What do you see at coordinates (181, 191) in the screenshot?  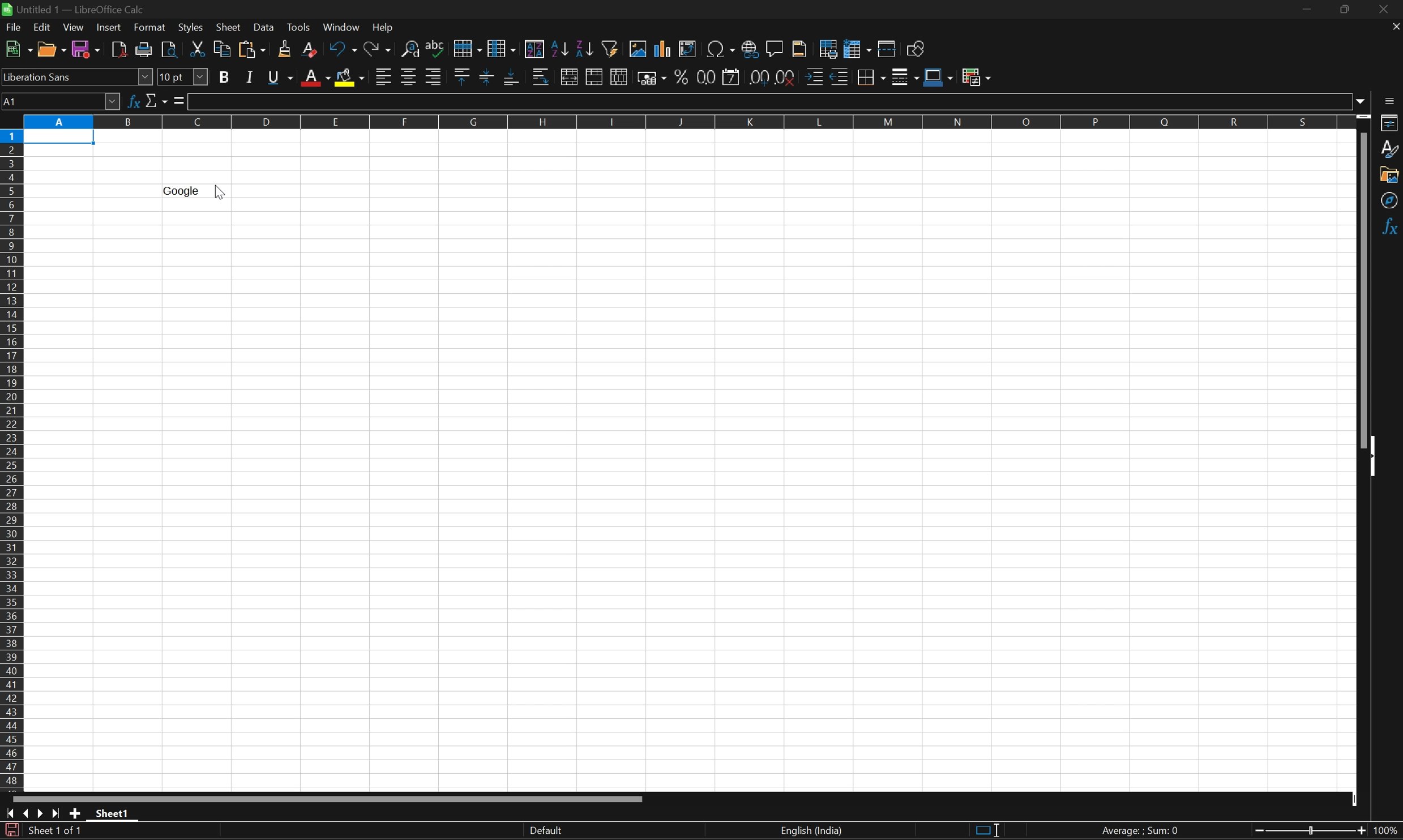 I see `Goolge` at bounding box center [181, 191].